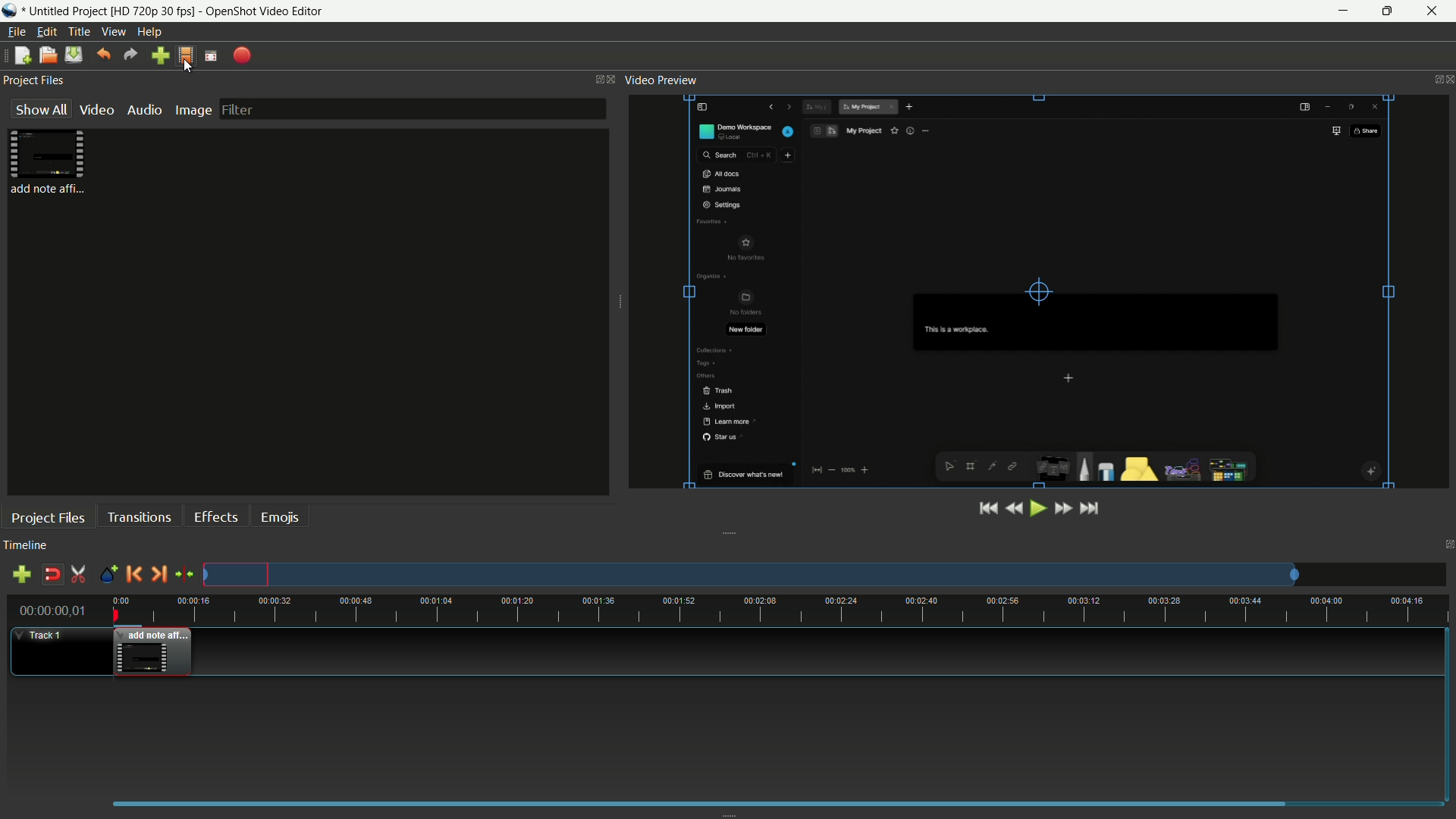 This screenshot has height=819, width=1456. I want to click on undo, so click(104, 55).